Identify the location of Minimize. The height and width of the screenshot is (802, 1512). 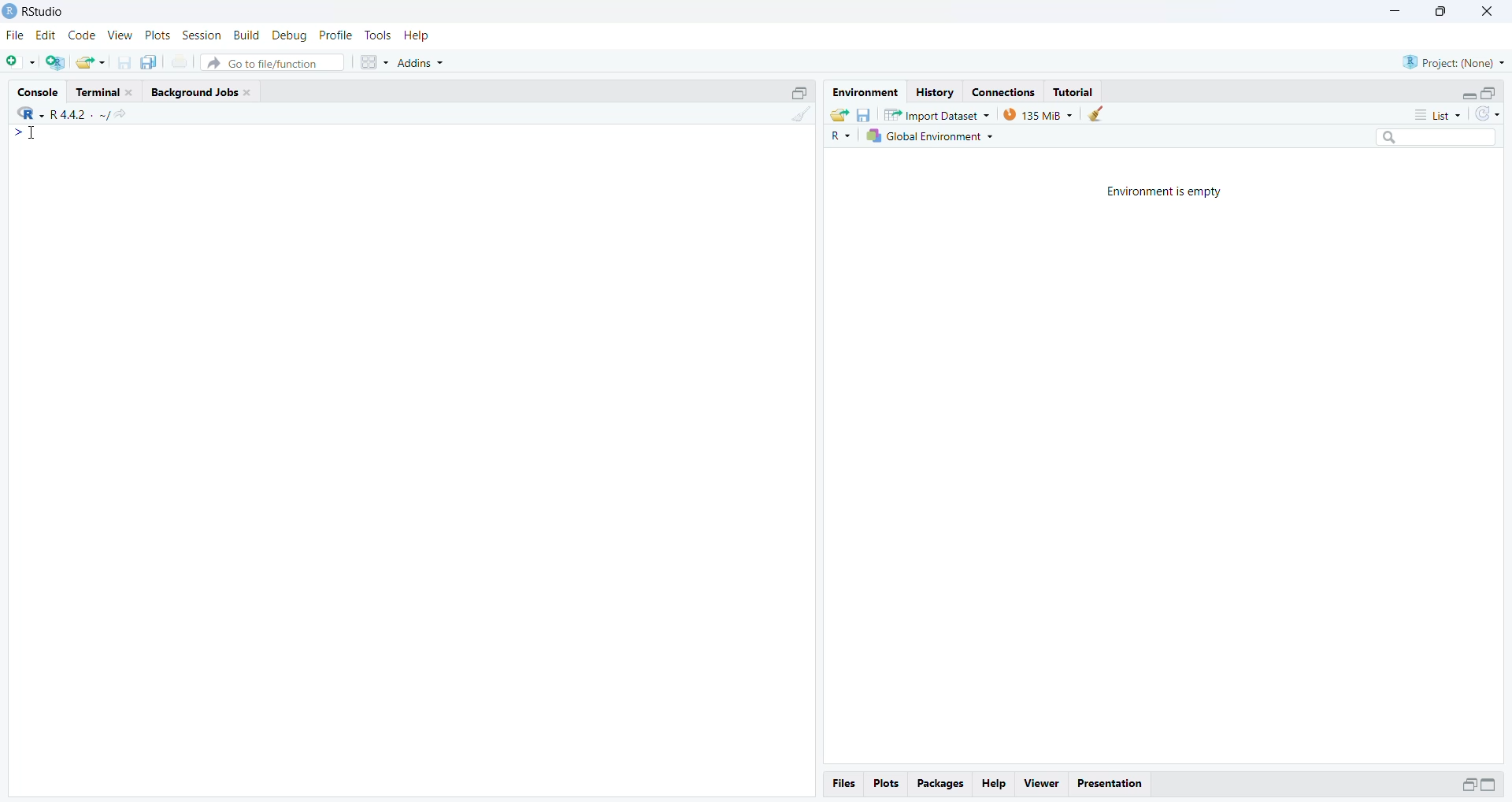
(1465, 93).